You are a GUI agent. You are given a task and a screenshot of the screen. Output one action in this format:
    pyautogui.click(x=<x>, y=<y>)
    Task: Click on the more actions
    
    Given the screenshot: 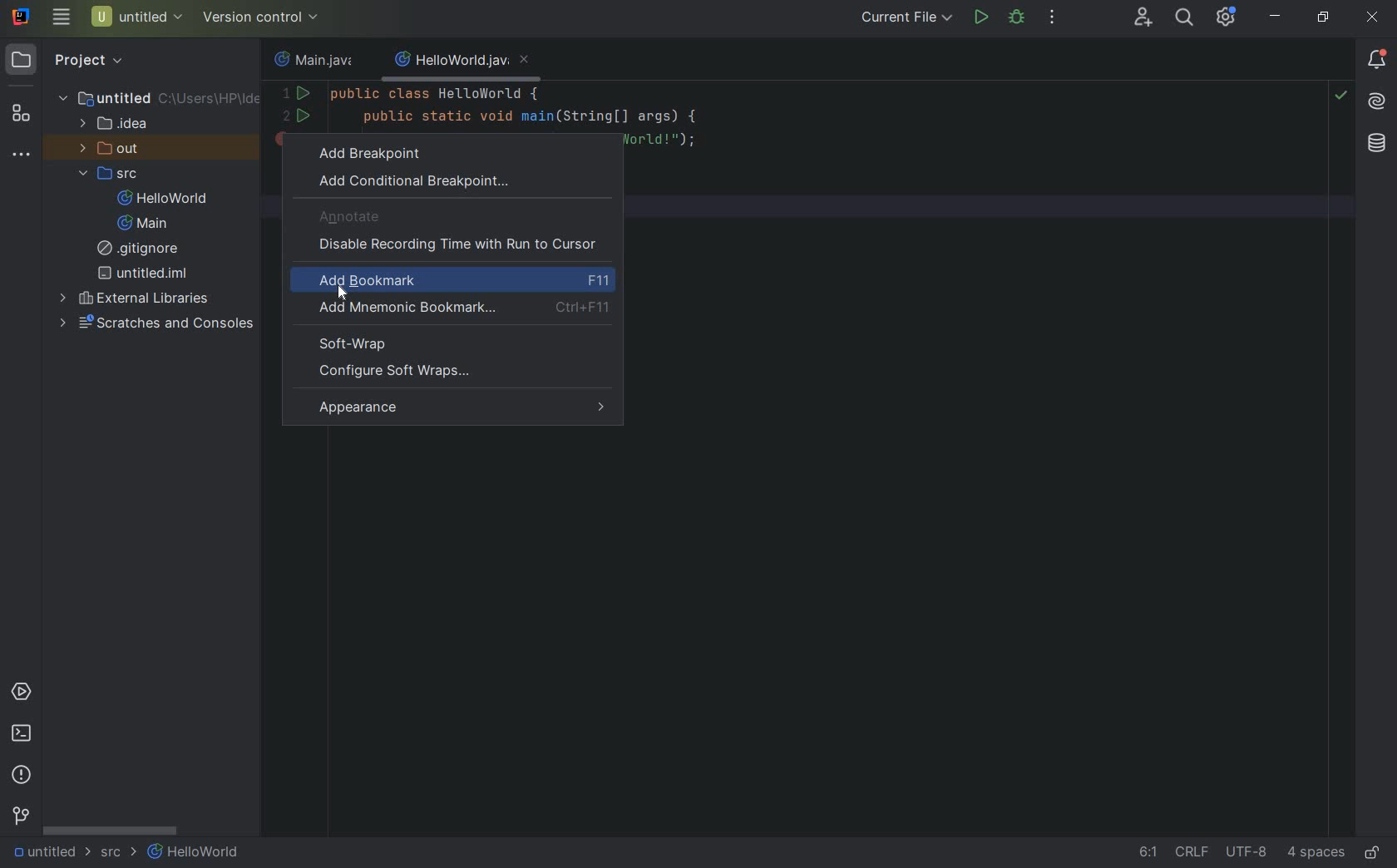 What is the action you would take?
    pyautogui.click(x=1053, y=18)
    